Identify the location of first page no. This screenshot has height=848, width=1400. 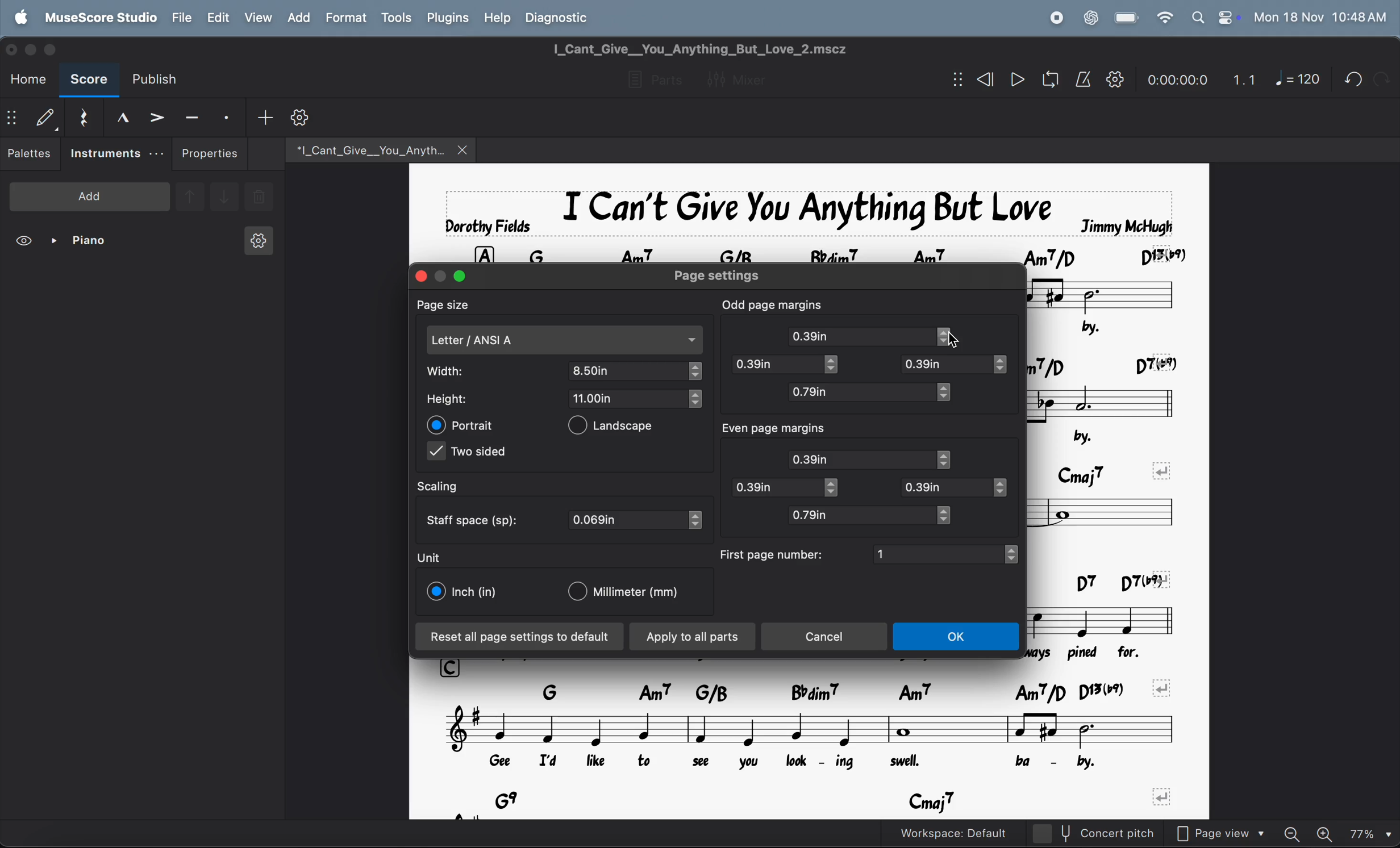
(773, 554).